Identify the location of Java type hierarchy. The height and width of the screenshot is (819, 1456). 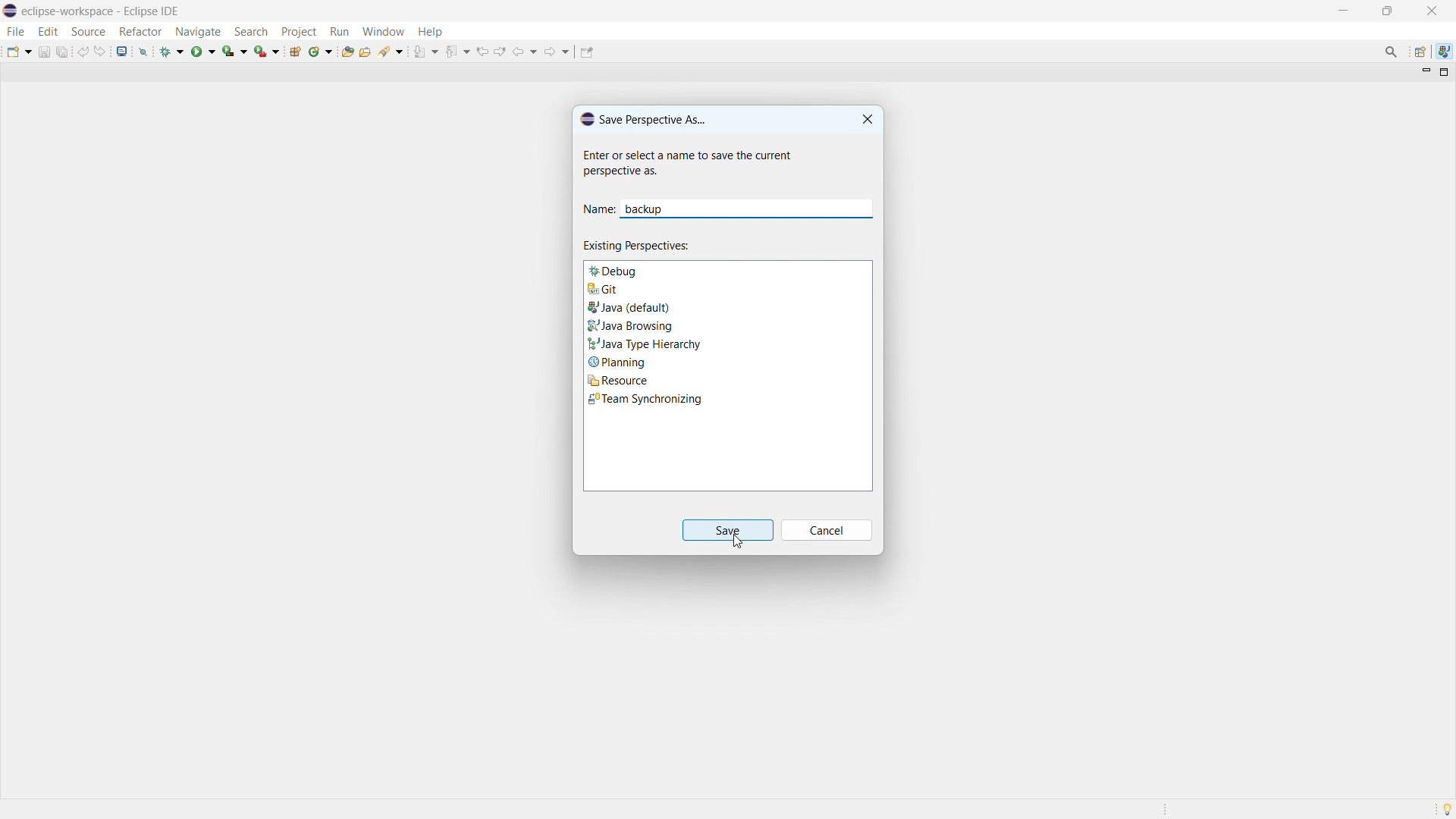
(727, 343).